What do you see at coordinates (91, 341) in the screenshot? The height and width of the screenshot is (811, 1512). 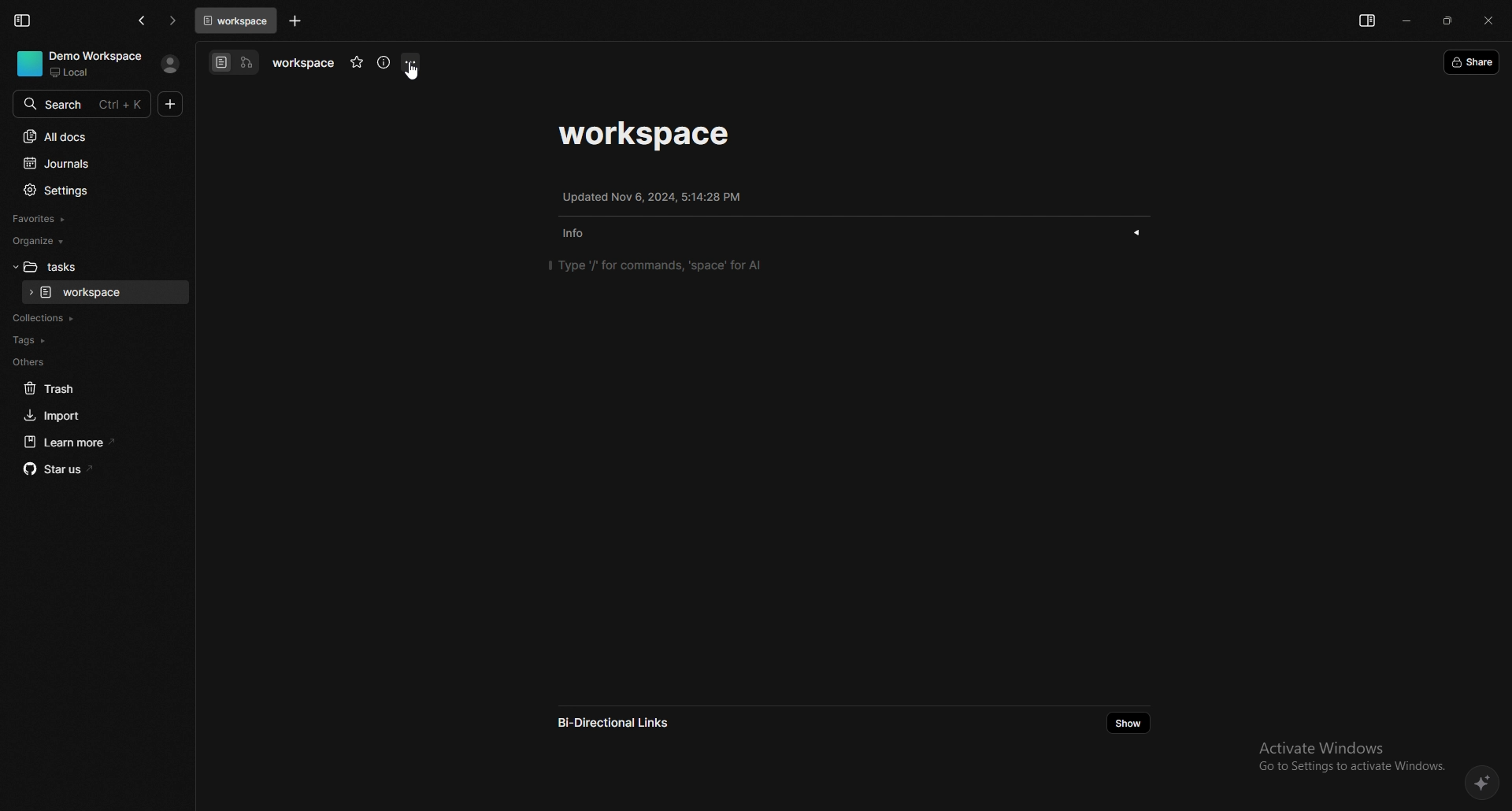 I see `tags` at bounding box center [91, 341].